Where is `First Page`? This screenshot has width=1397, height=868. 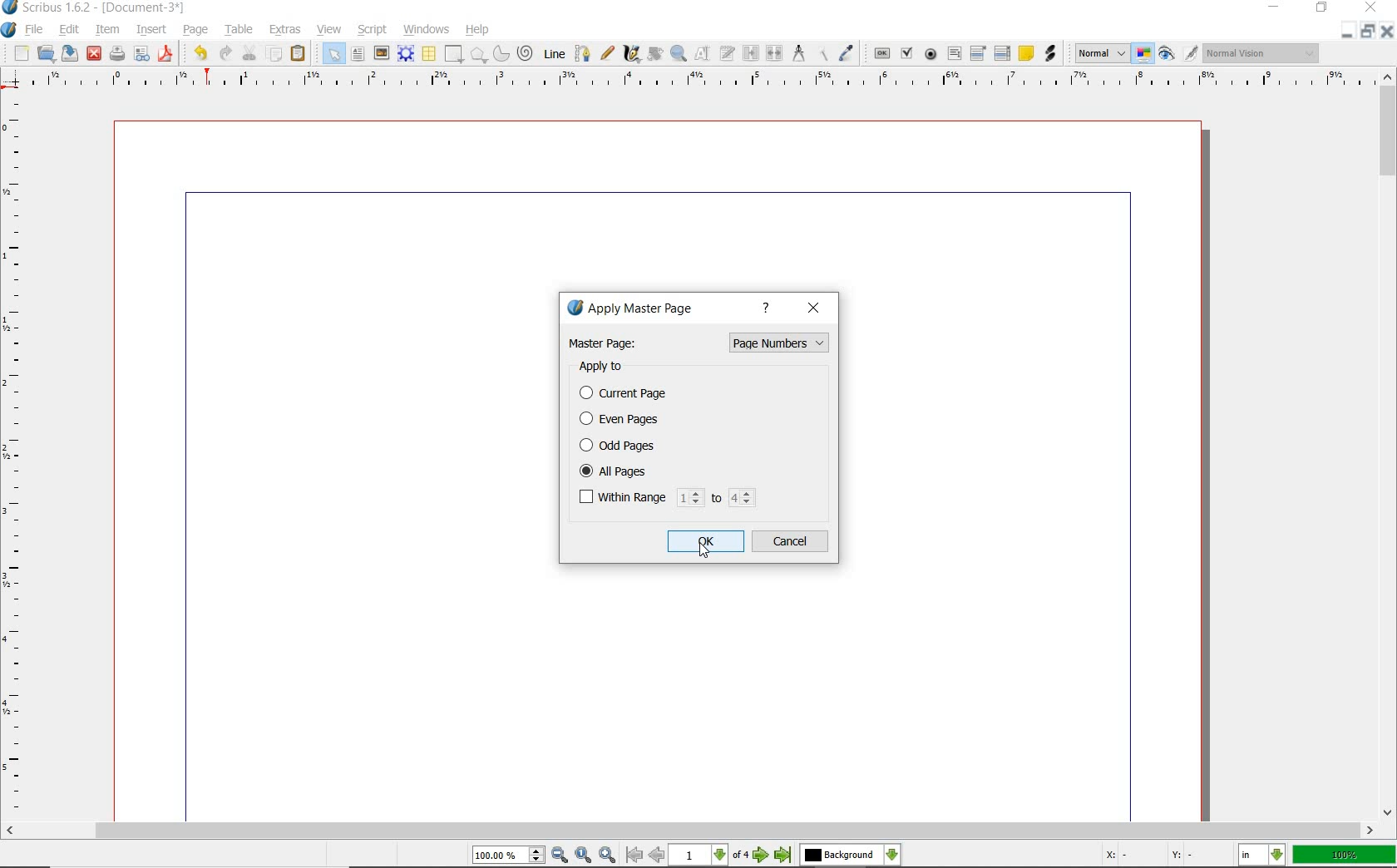
First Page is located at coordinates (632, 856).